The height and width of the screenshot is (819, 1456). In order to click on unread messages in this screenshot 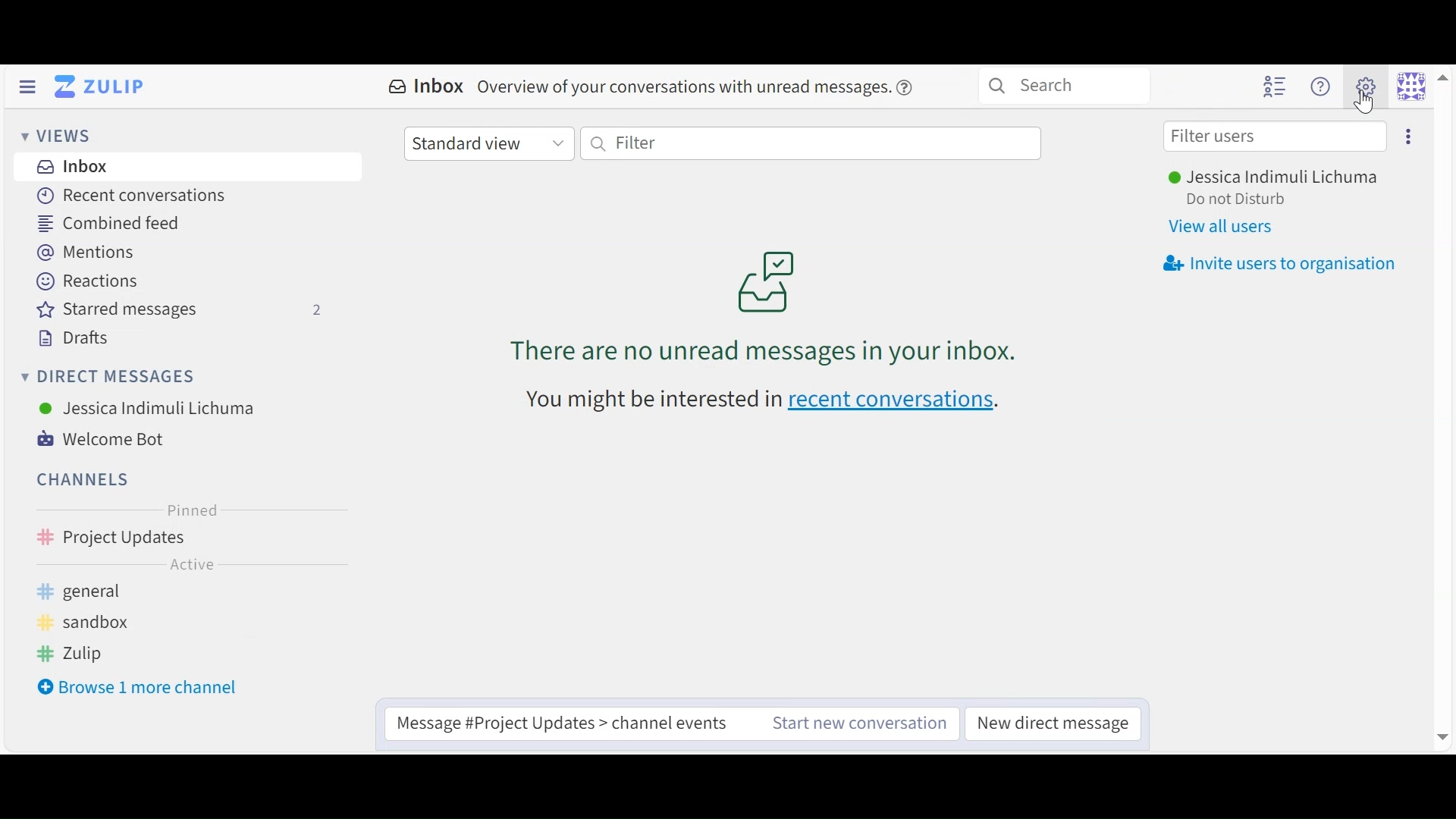, I will do `click(764, 309)`.